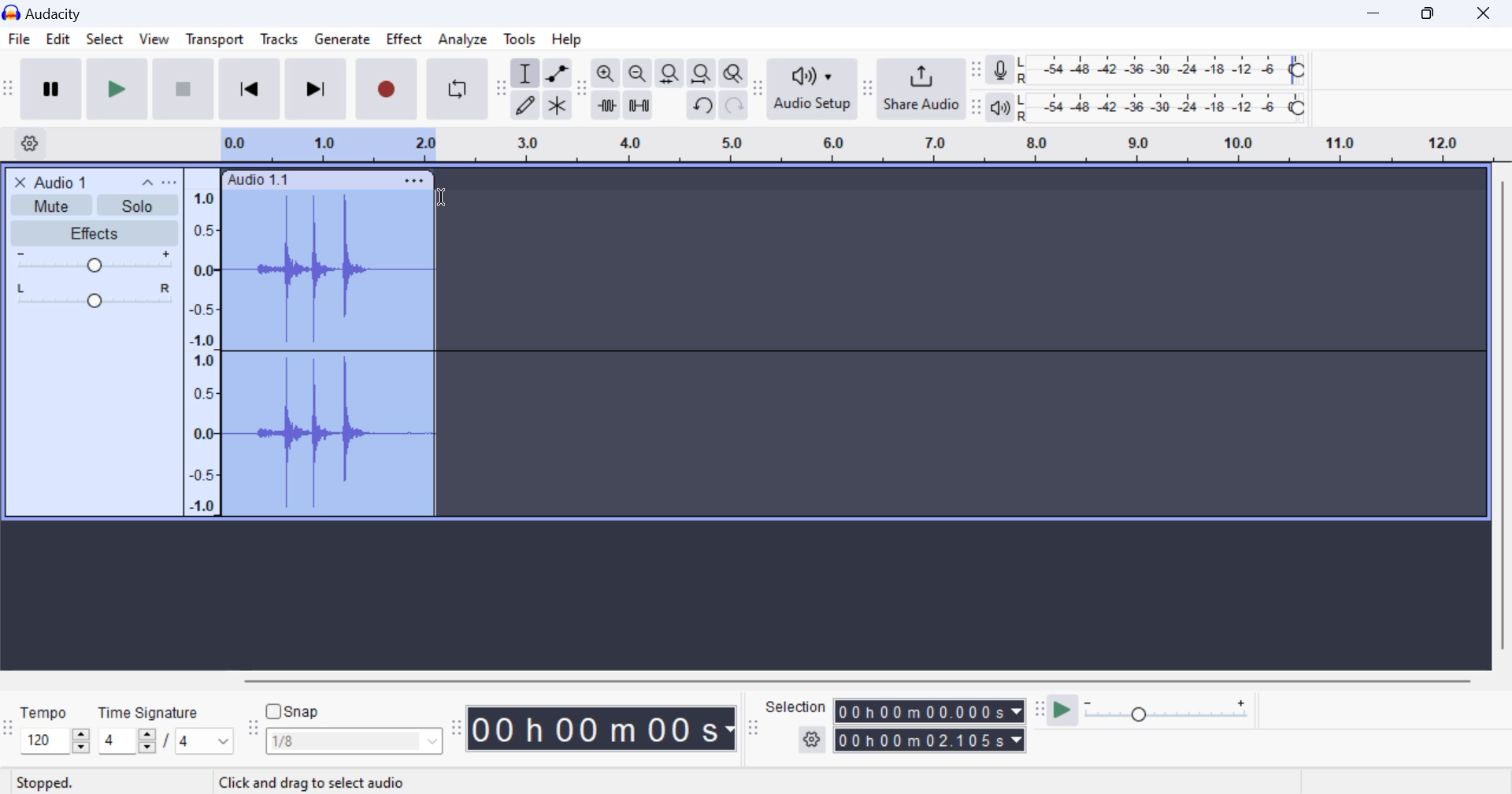  I want to click on collapse, so click(146, 181).